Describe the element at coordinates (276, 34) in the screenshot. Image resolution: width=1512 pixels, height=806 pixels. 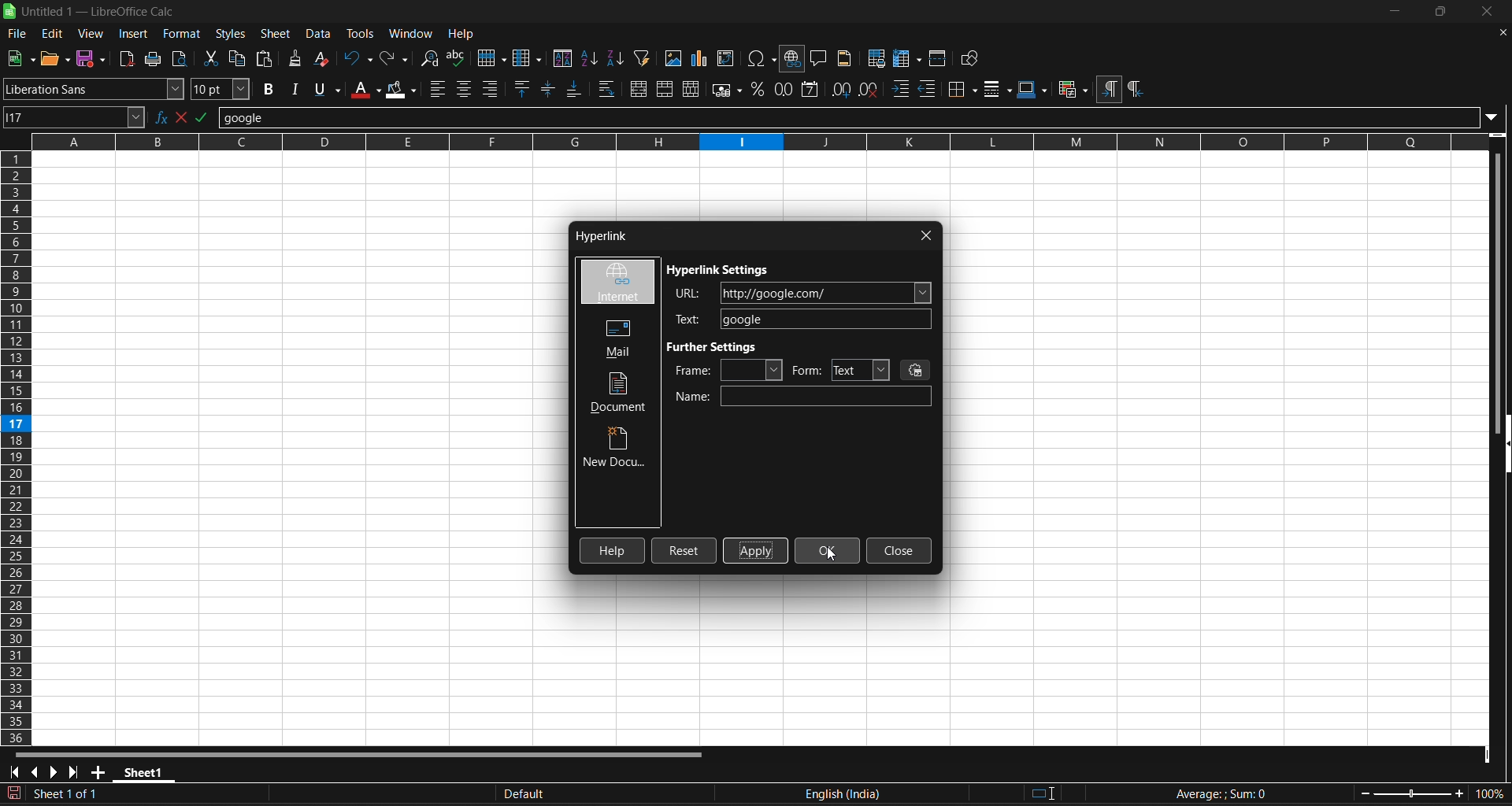
I see `sheet` at that location.